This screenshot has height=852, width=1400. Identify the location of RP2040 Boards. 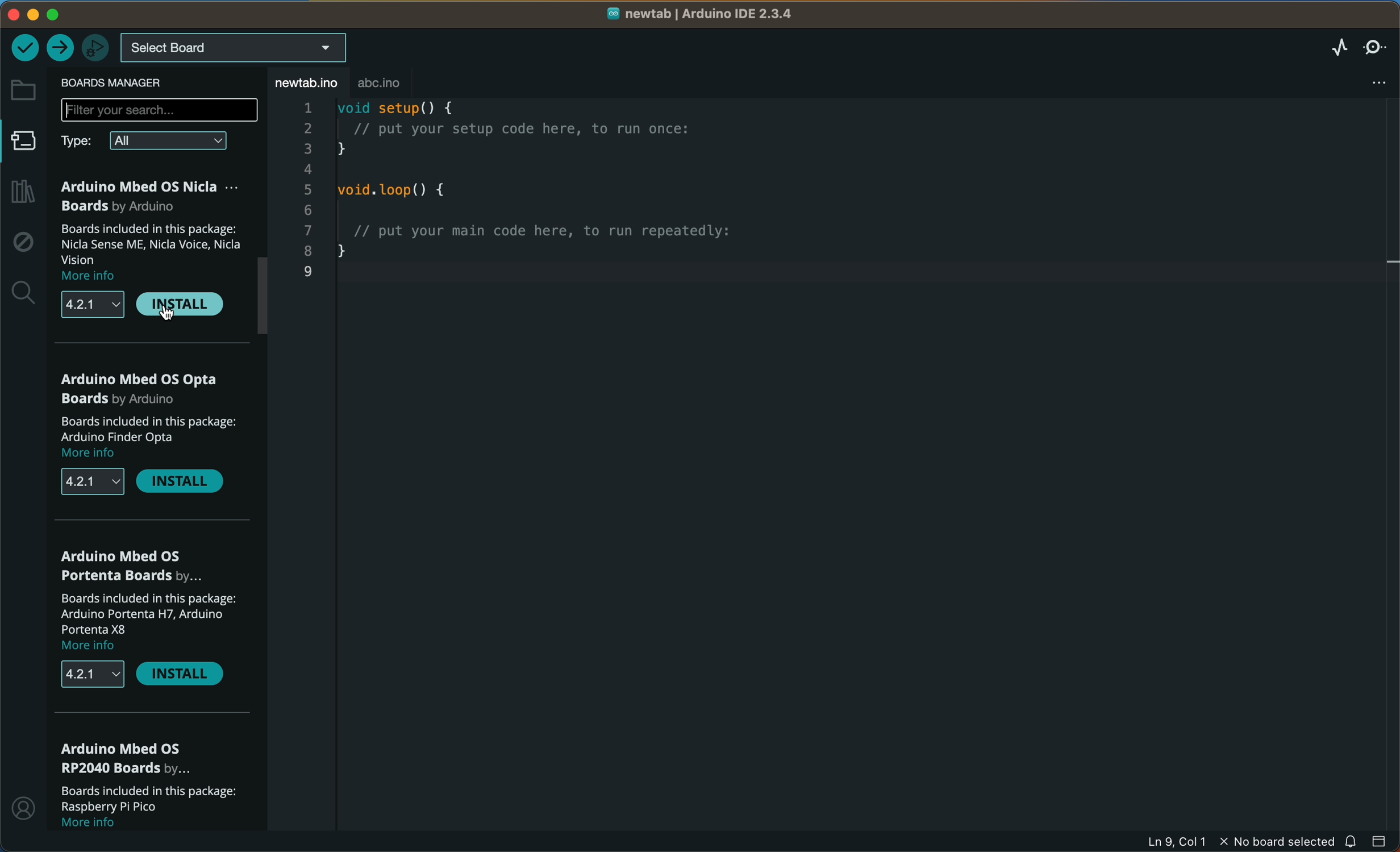
(131, 758).